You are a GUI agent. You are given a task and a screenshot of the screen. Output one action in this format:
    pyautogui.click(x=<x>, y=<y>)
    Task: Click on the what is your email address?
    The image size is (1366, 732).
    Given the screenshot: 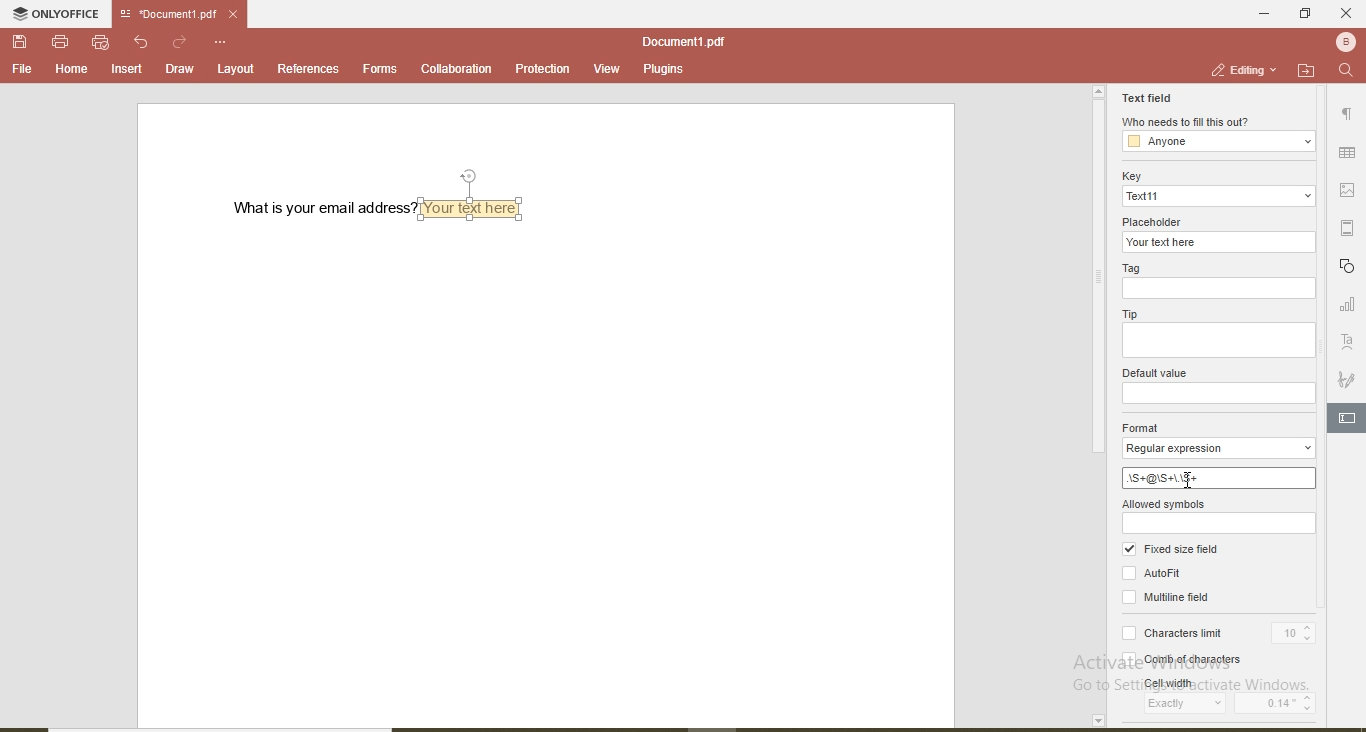 What is the action you would take?
    pyautogui.click(x=316, y=208)
    